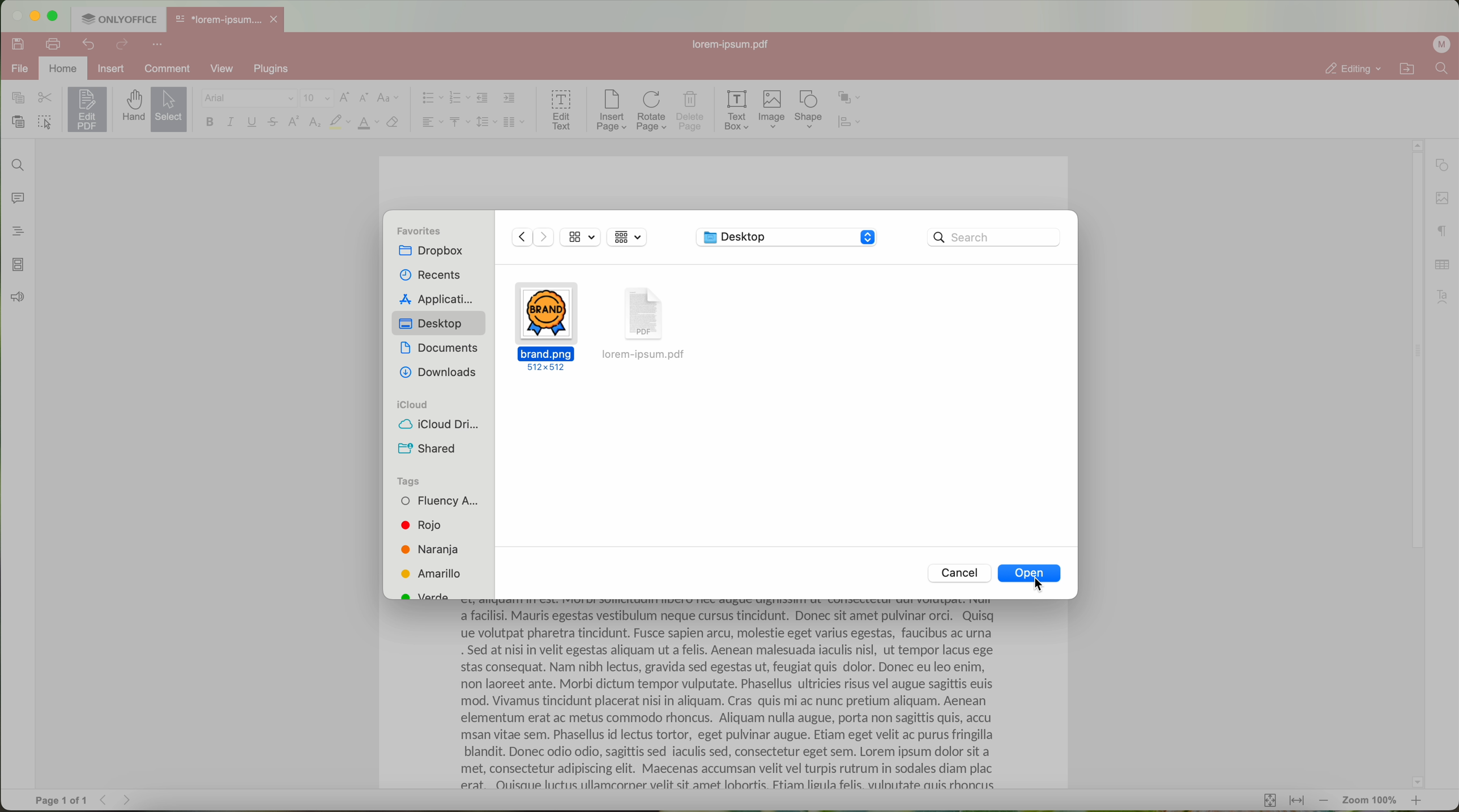  I want to click on size font, so click(317, 99).